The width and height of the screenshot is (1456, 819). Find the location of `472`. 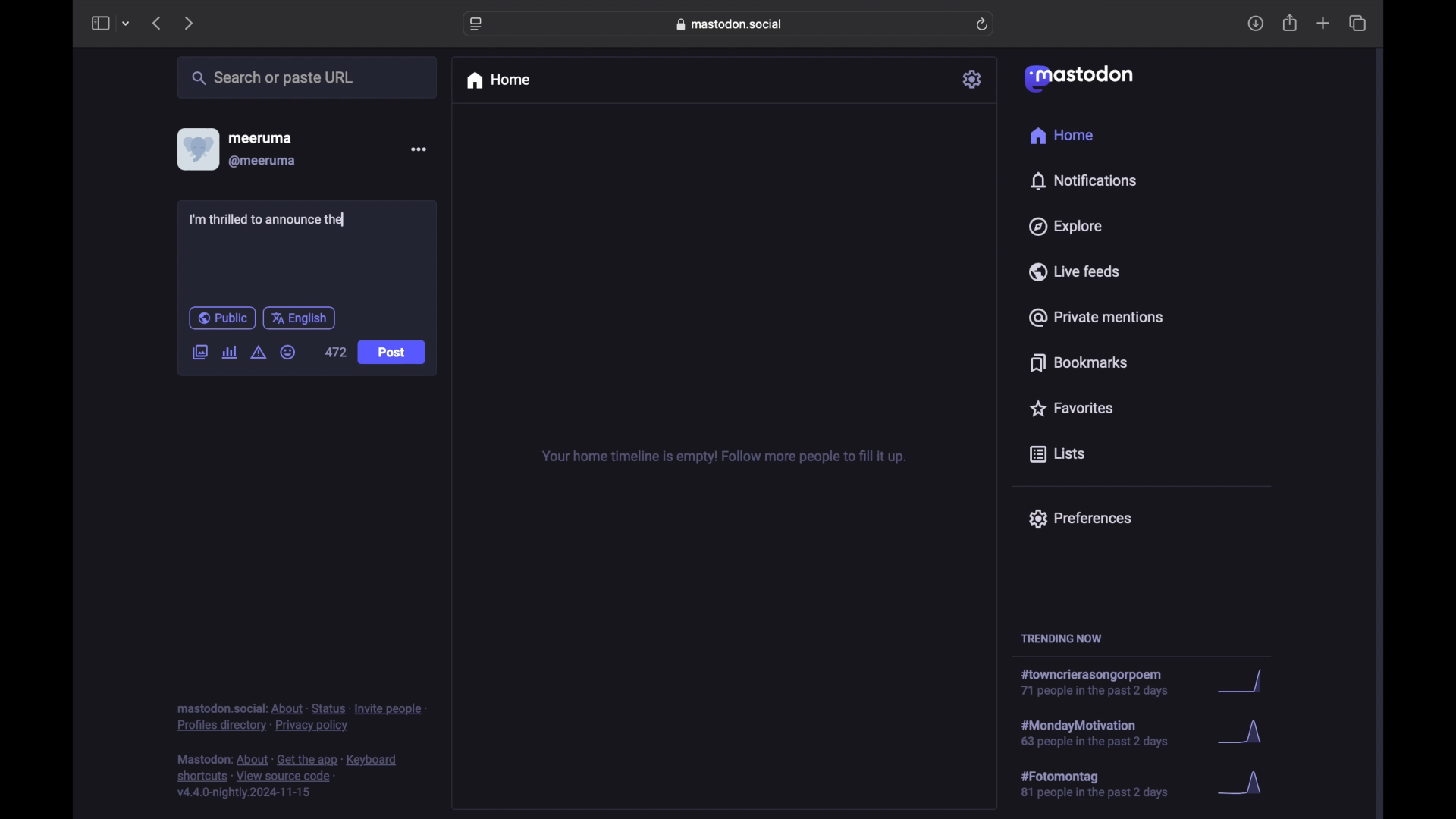

472 is located at coordinates (336, 352).